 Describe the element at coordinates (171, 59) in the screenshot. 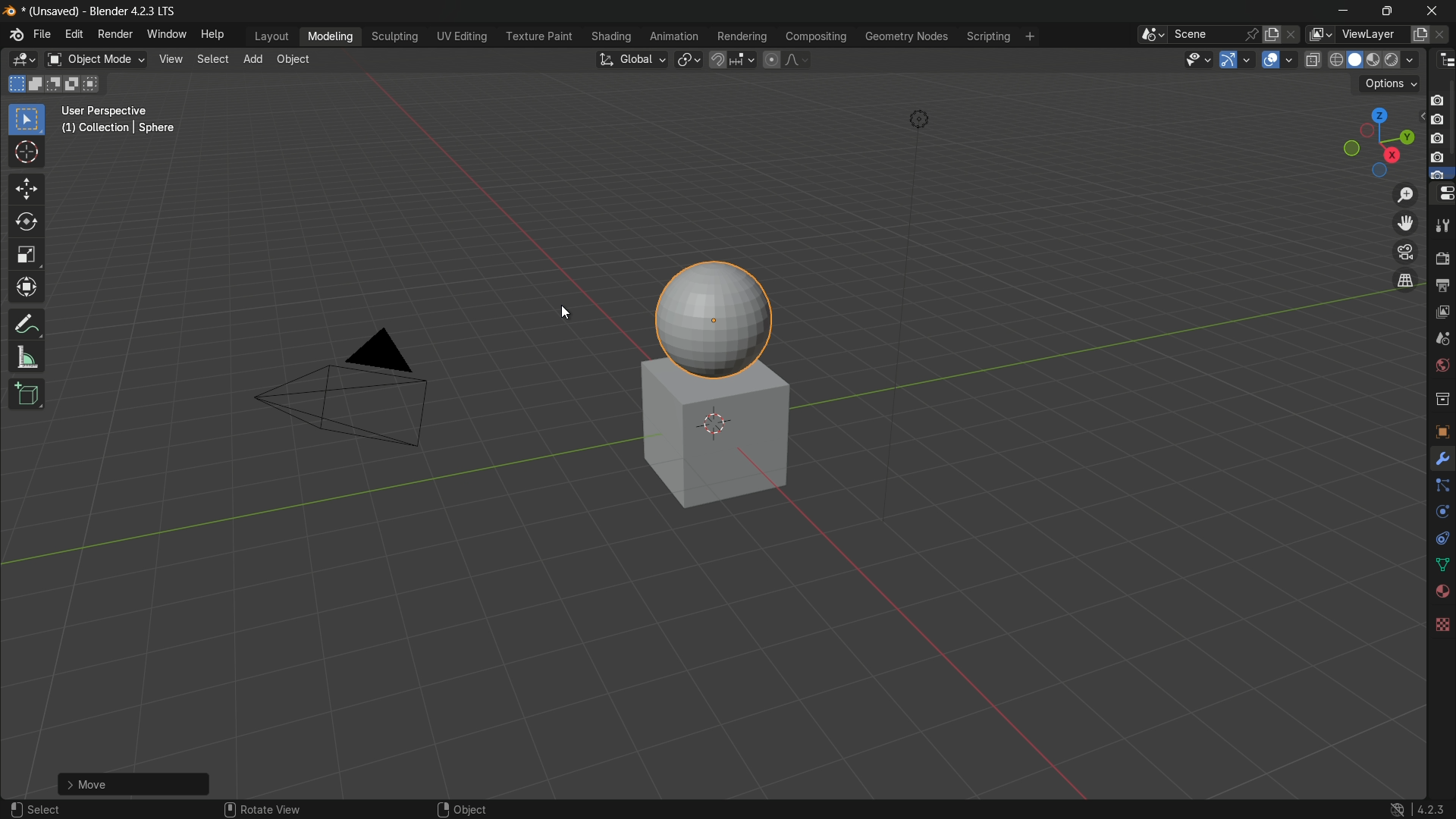

I see `view menu` at that location.